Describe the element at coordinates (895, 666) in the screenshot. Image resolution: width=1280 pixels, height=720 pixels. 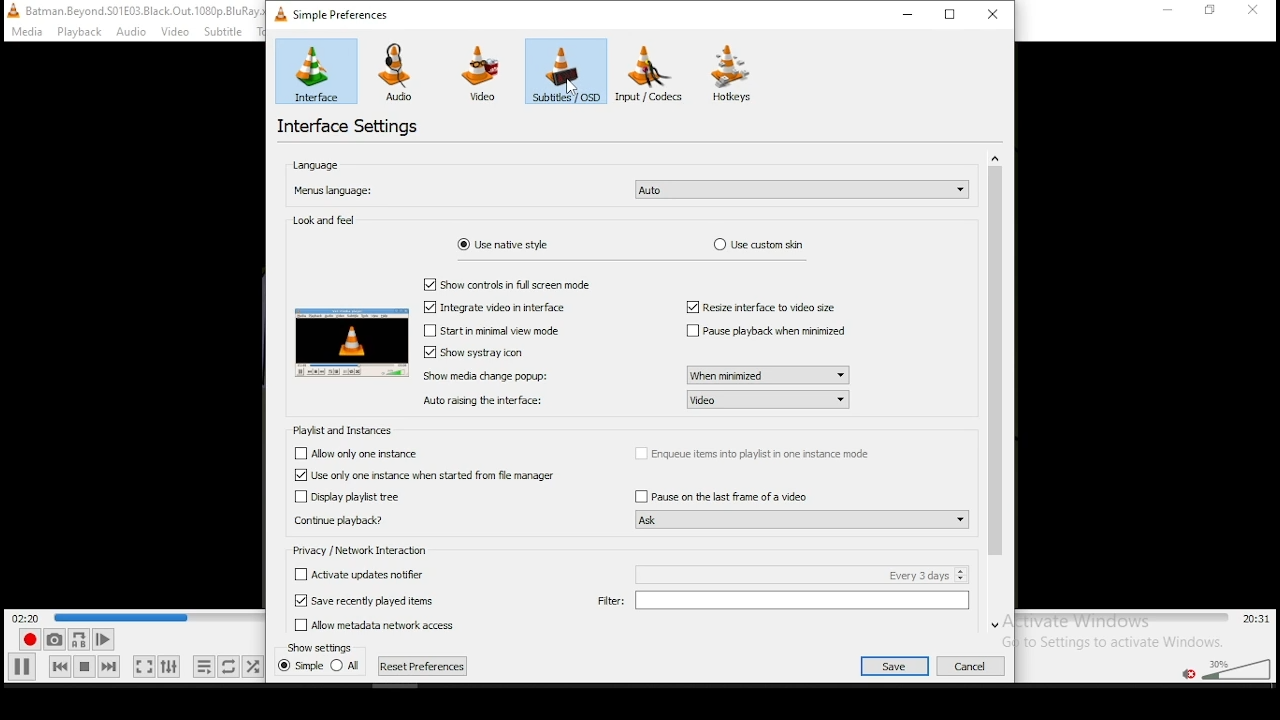
I see `save` at that location.